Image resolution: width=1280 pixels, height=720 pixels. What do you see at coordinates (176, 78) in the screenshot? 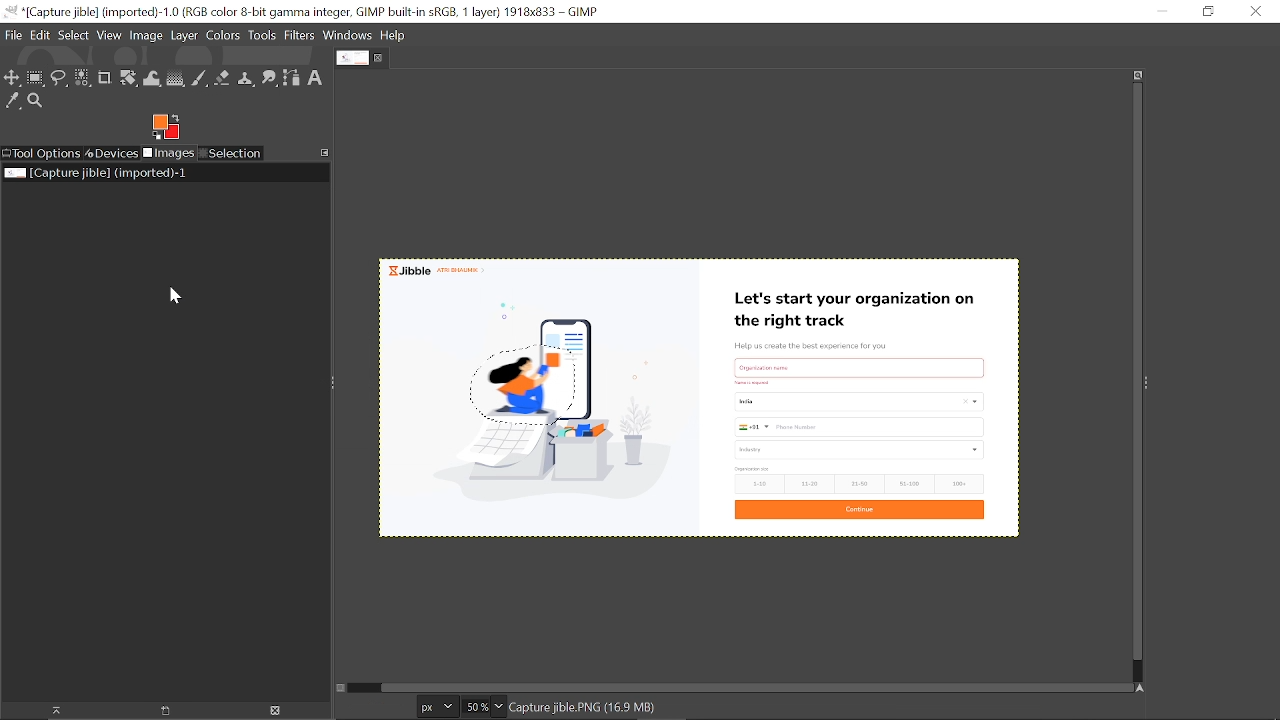
I see `Gradient tool` at bounding box center [176, 78].